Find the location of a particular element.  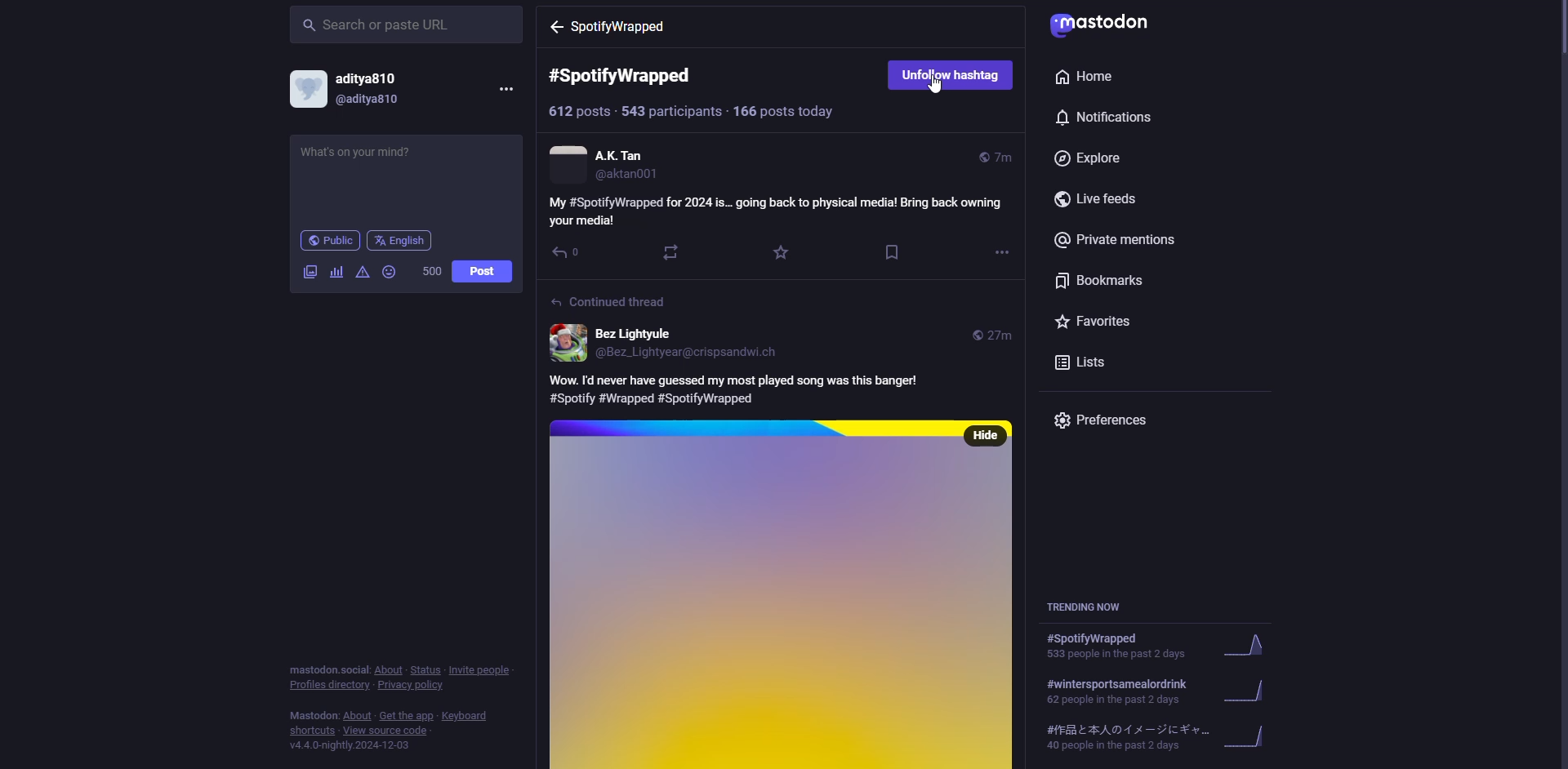

posts is located at coordinates (785, 113).